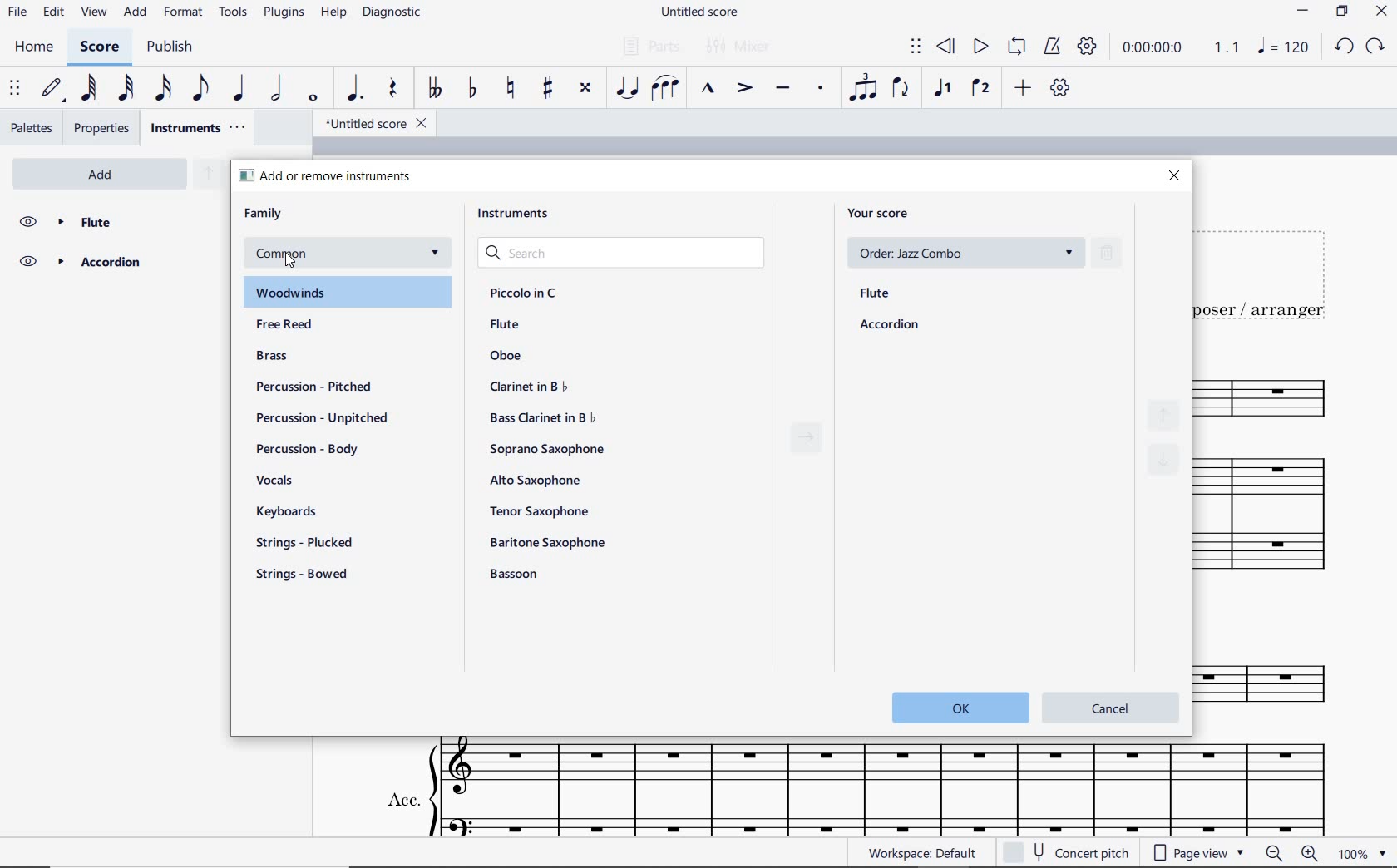 The image size is (1397, 868). I want to click on 32nd note, so click(125, 89).